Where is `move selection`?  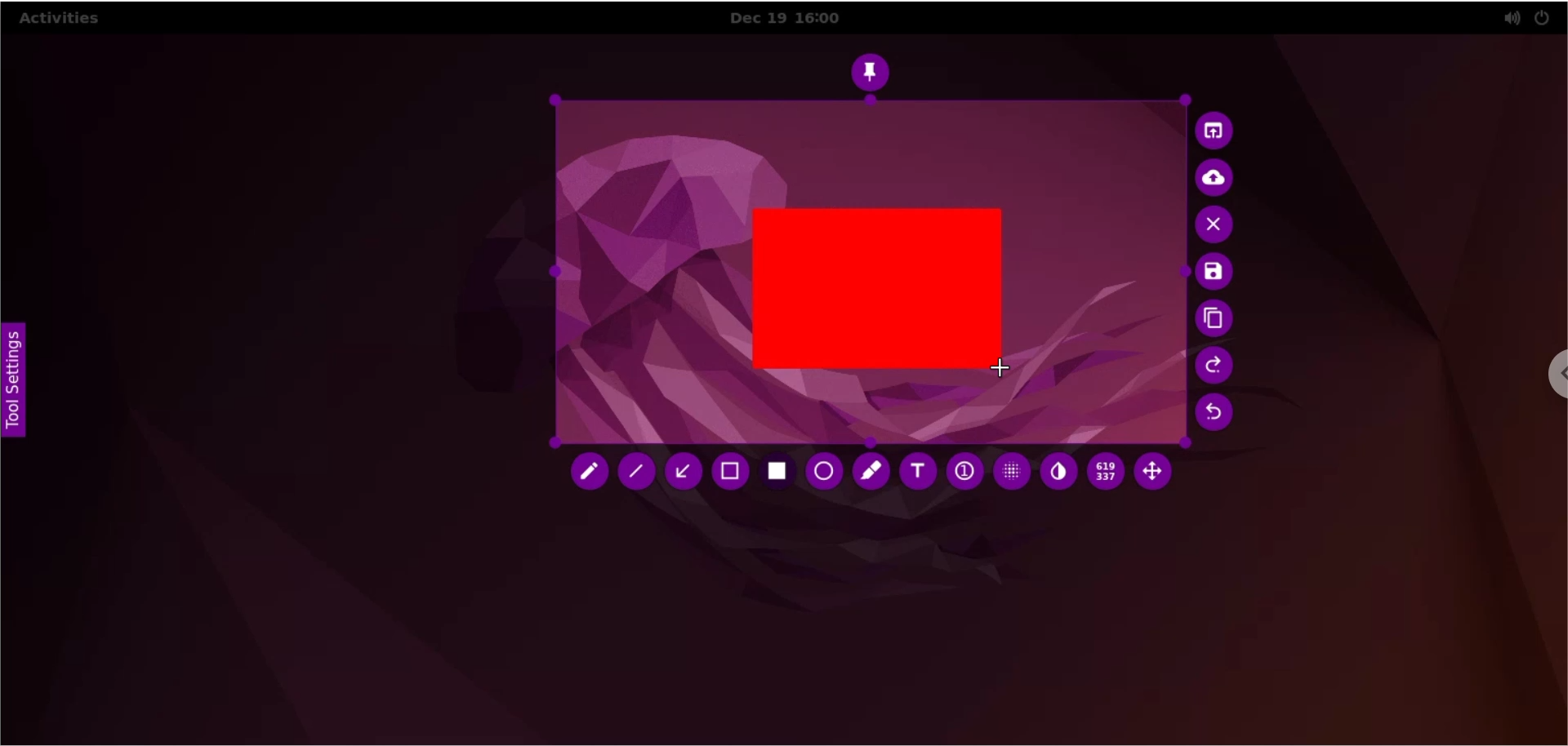
move selection is located at coordinates (1158, 474).